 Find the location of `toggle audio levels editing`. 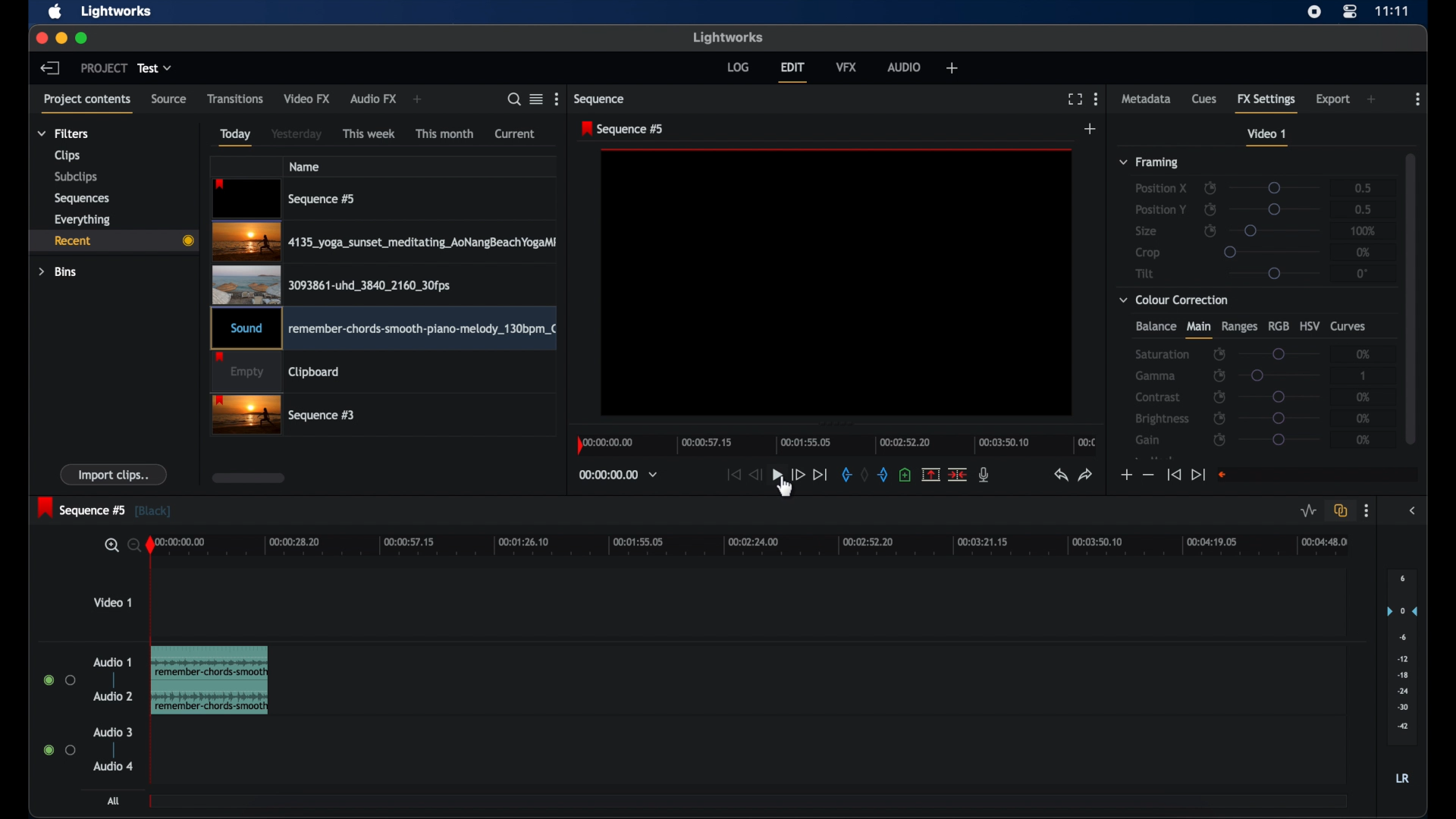

toggle audio levels editing is located at coordinates (1309, 511).